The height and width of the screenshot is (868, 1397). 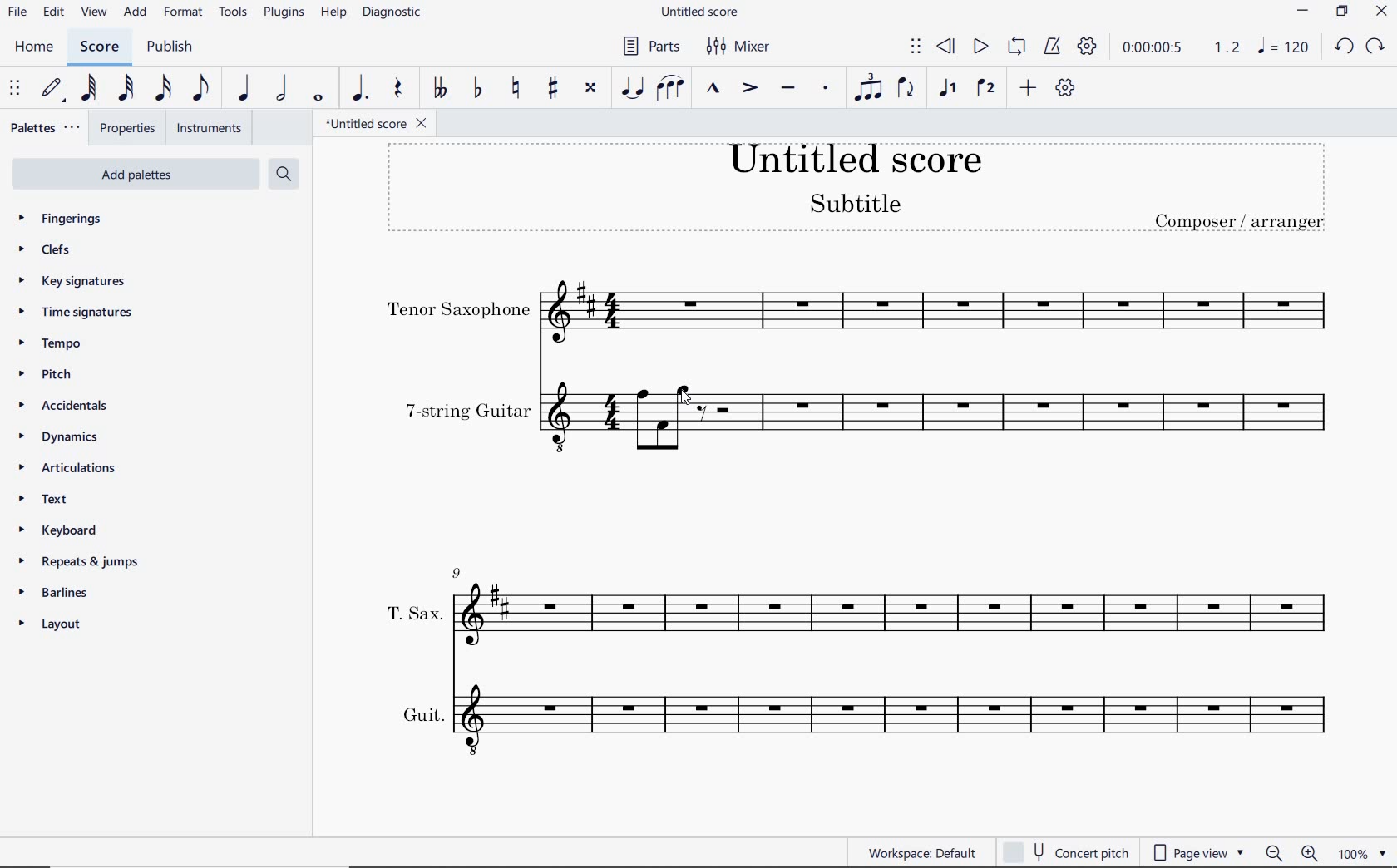 What do you see at coordinates (58, 592) in the screenshot?
I see `BARLINES` at bounding box center [58, 592].